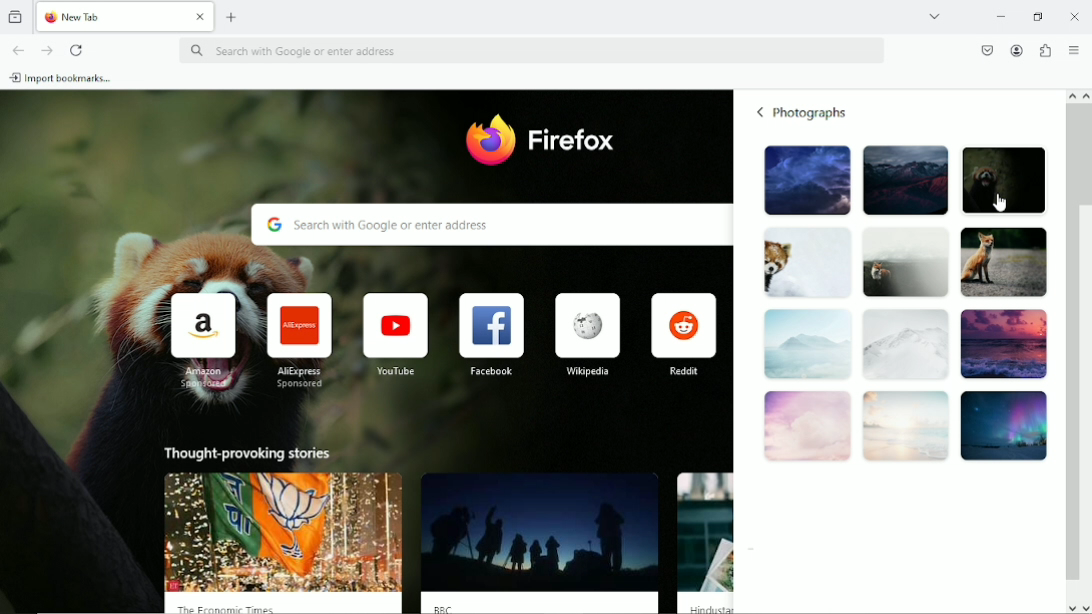  I want to click on Photograph, so click(903, 262).